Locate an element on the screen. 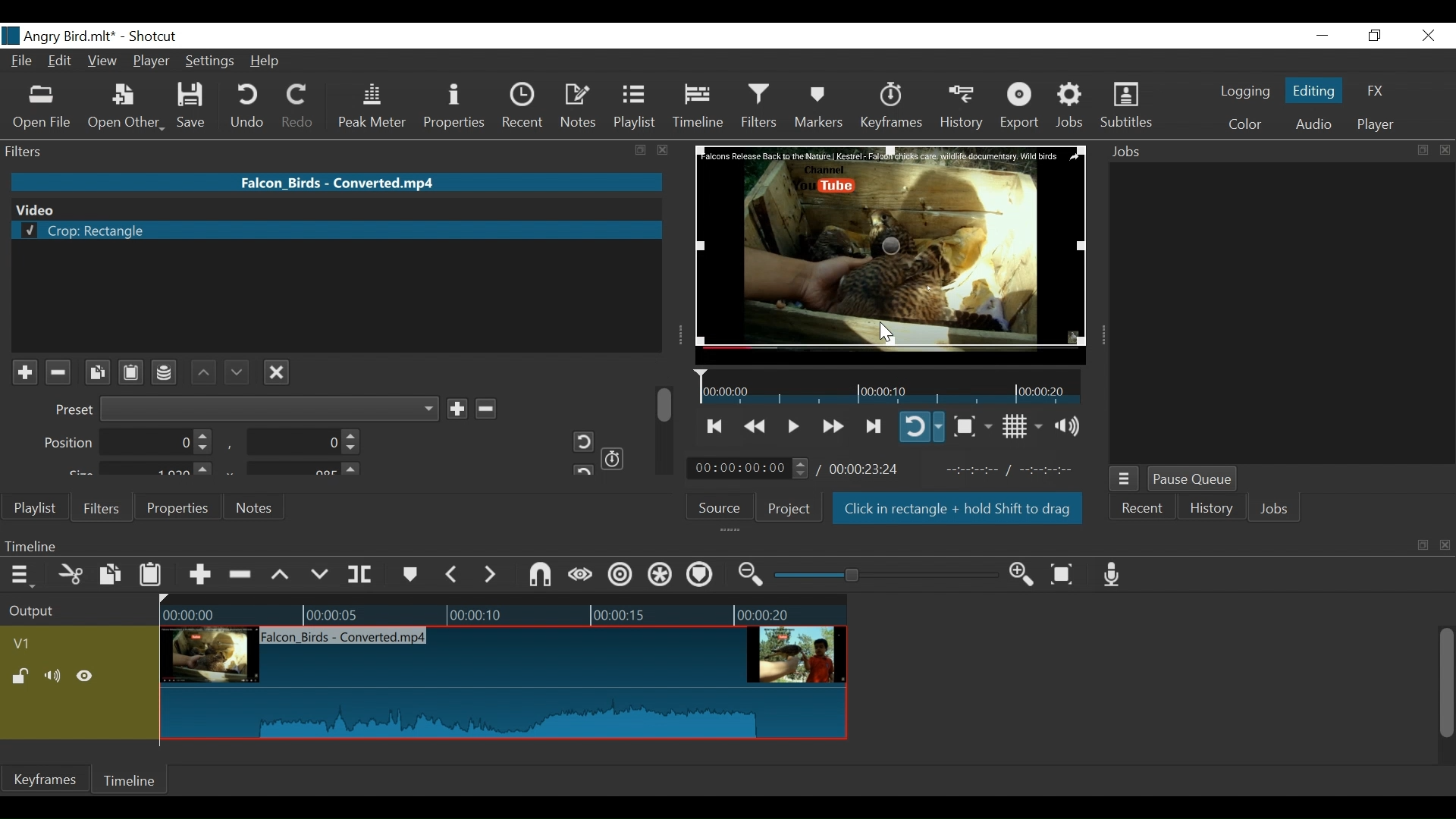 Image resolution: width=1456 pixels, height=819 pixels. Pause Queue is located at coordinates (1194, 480).